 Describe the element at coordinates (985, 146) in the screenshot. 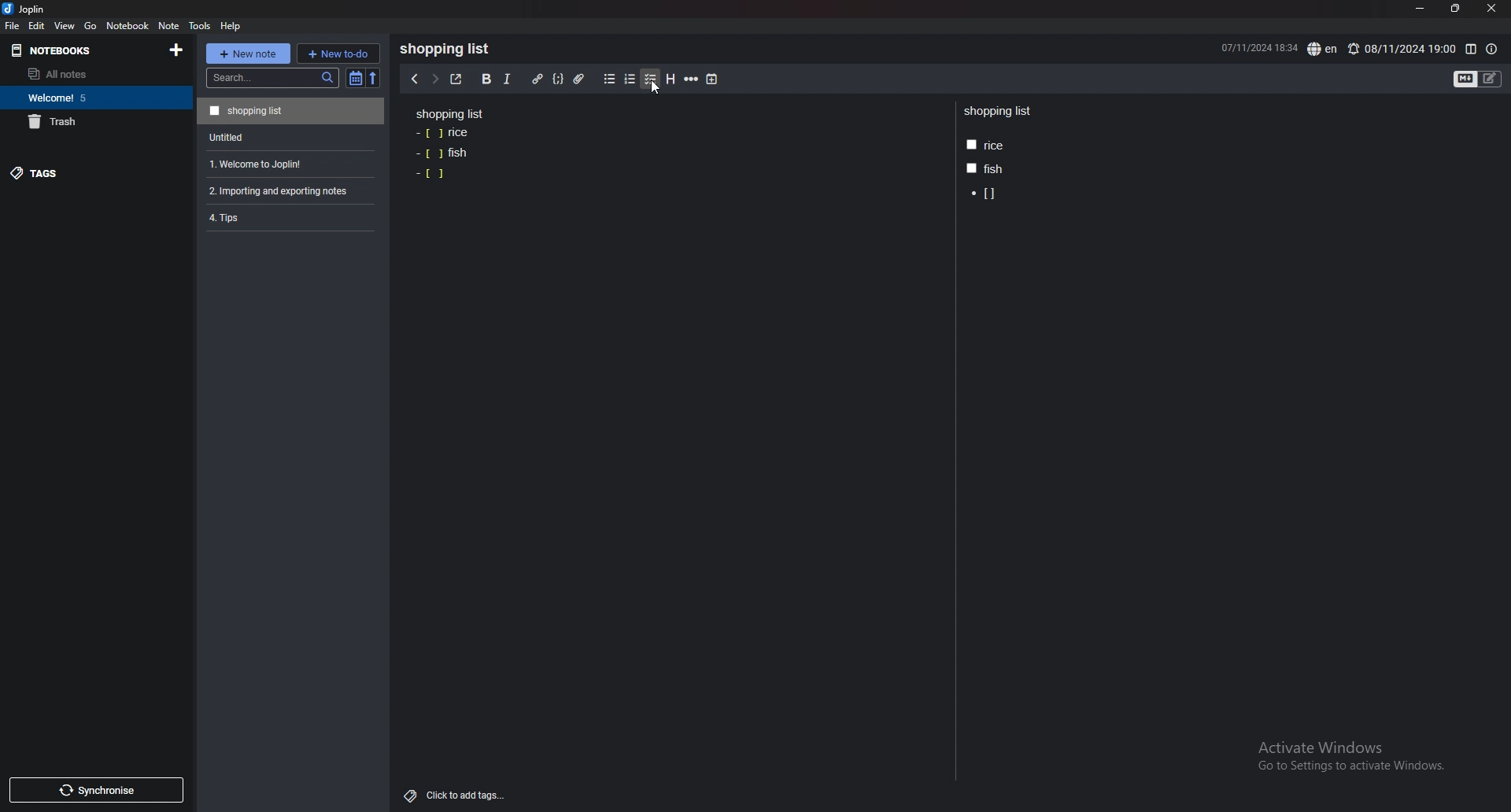

I see `rice` at that location.